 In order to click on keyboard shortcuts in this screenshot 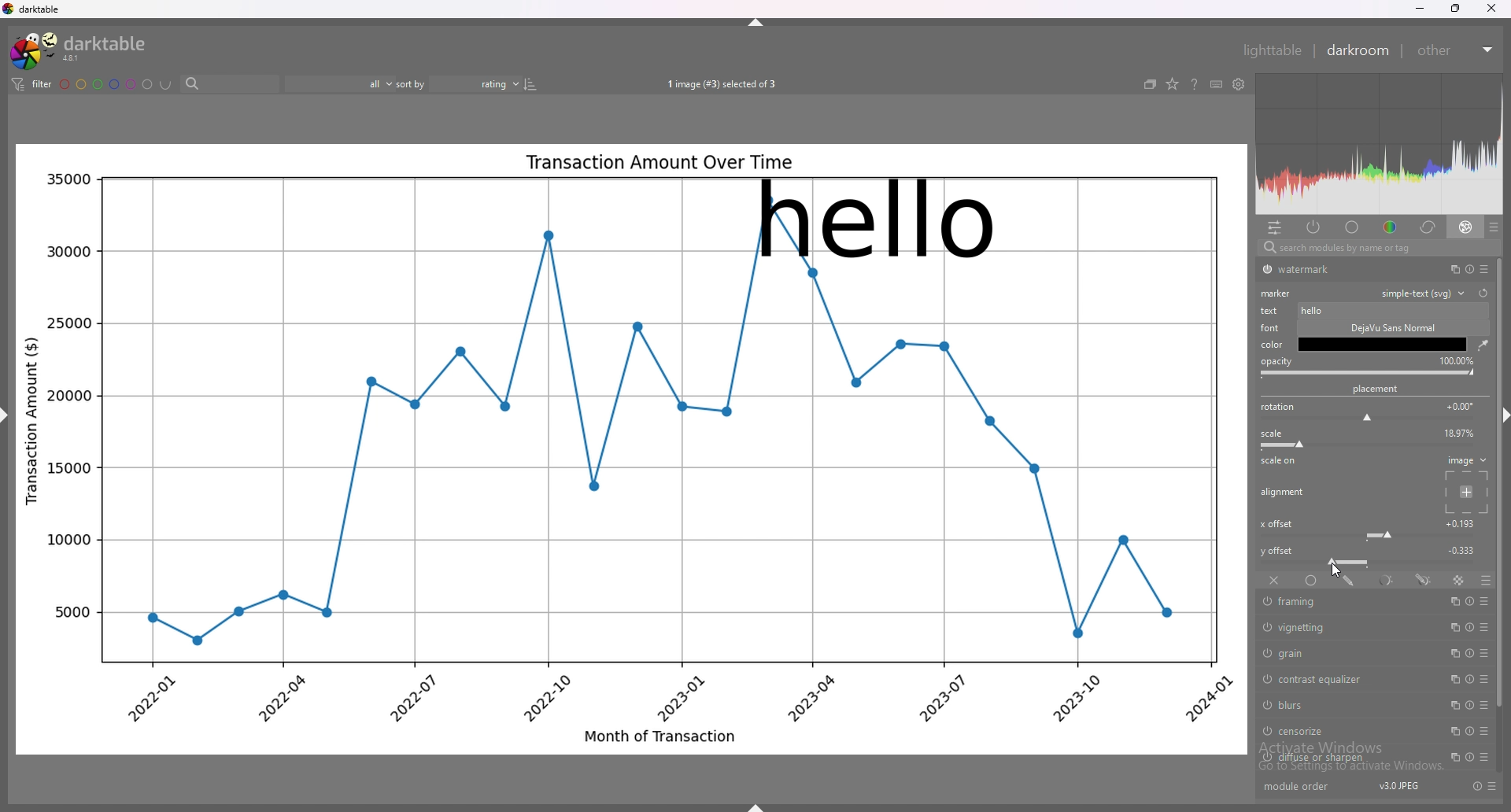, I will do `click(1216, 84)`.